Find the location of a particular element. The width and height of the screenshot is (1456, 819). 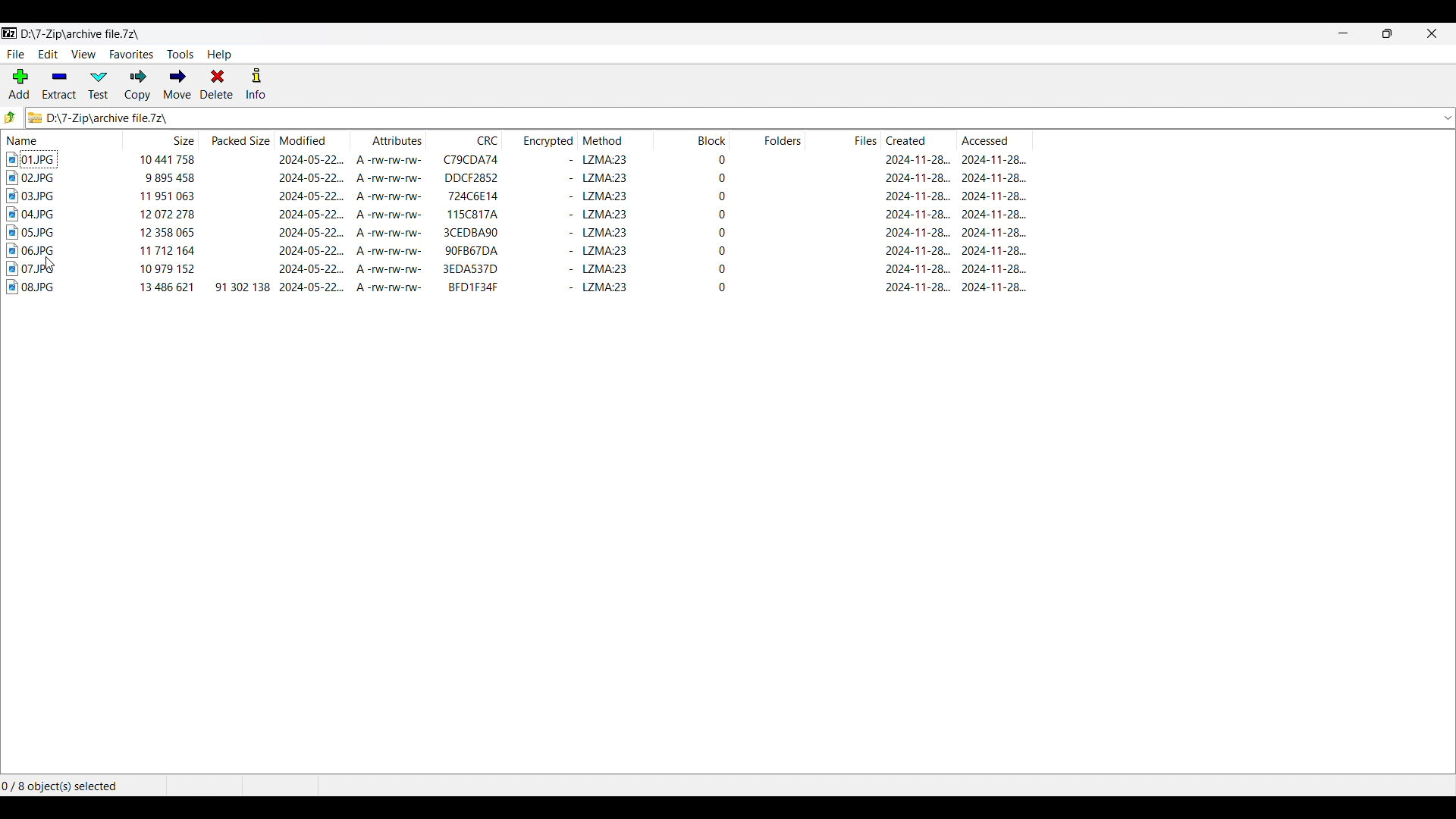

attributes is located at coordinates (388, 251).